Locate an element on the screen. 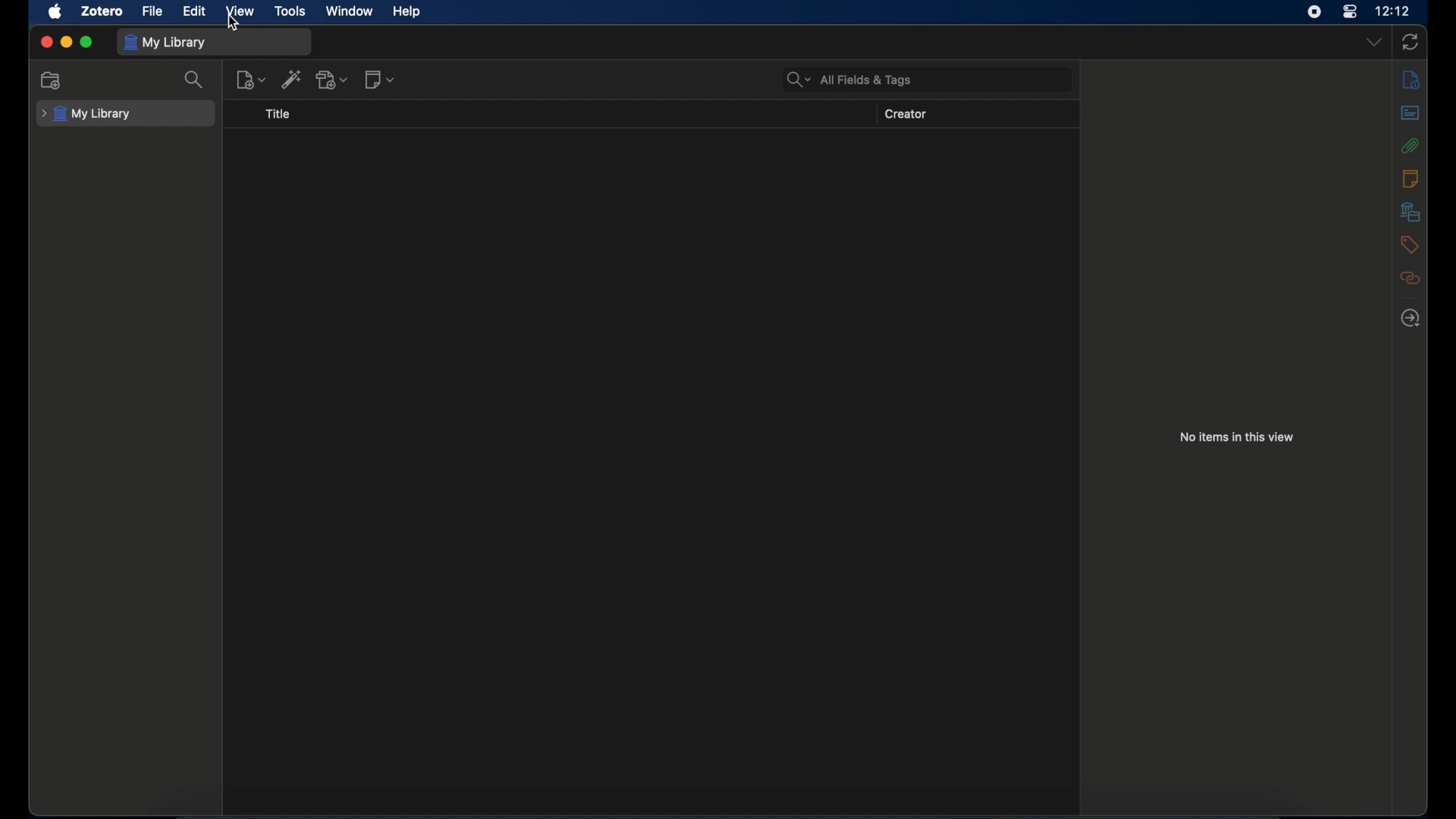  notes is located at coordinates (1410, 177).